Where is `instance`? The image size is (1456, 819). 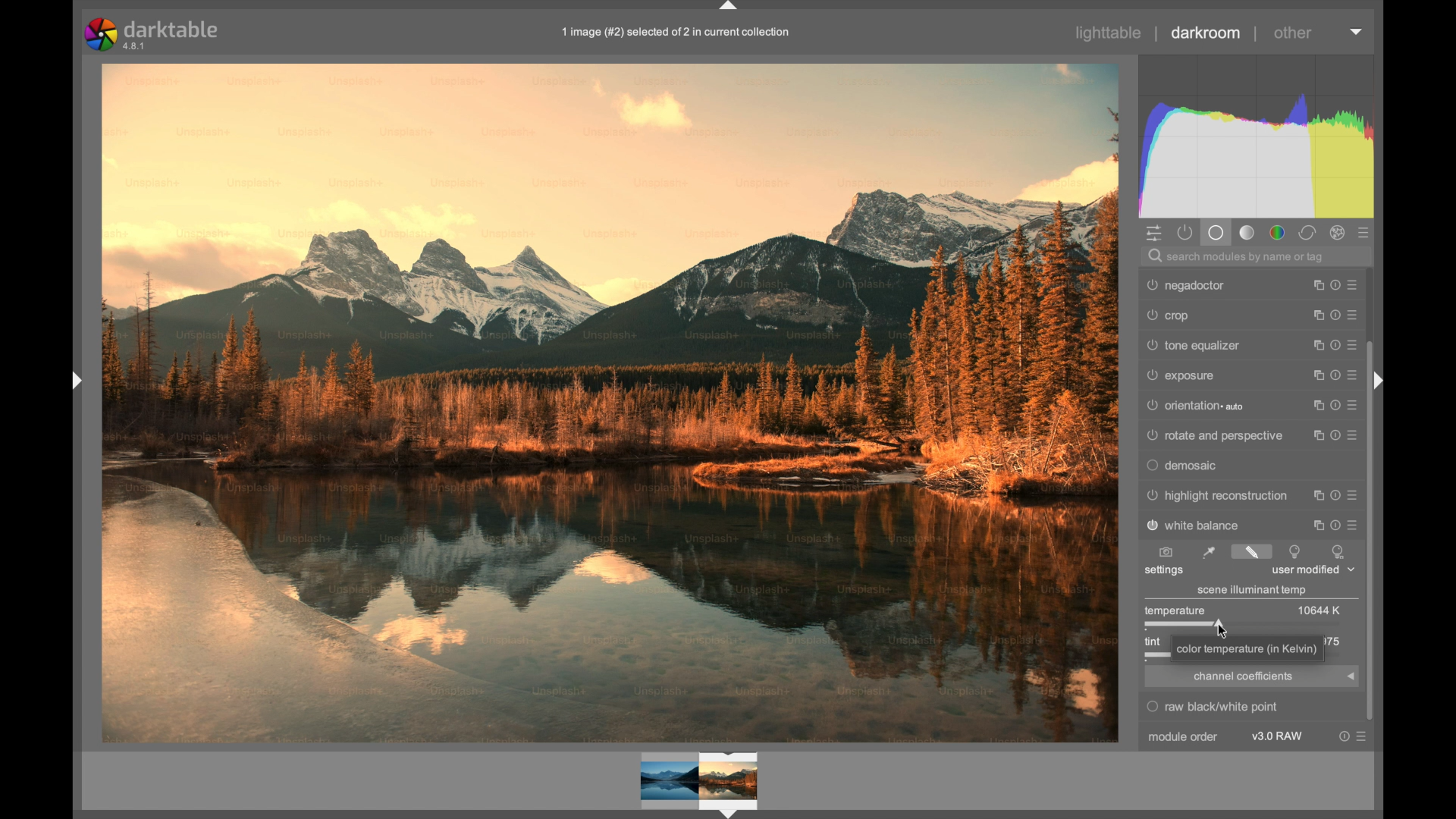 instance is located at coordinates (1316, 522).